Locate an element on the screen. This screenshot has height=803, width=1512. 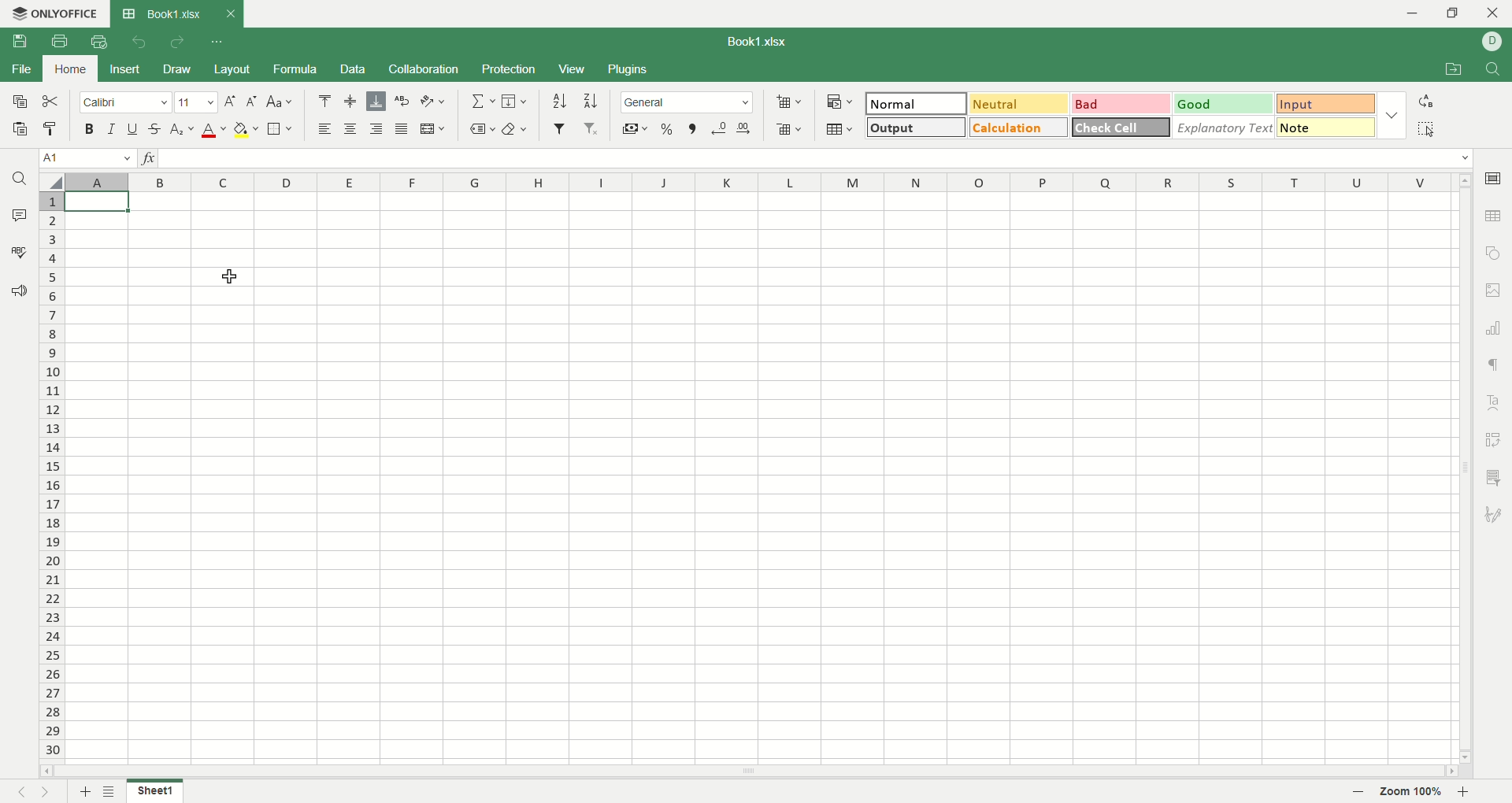
search is located at coordinates (21, 181).